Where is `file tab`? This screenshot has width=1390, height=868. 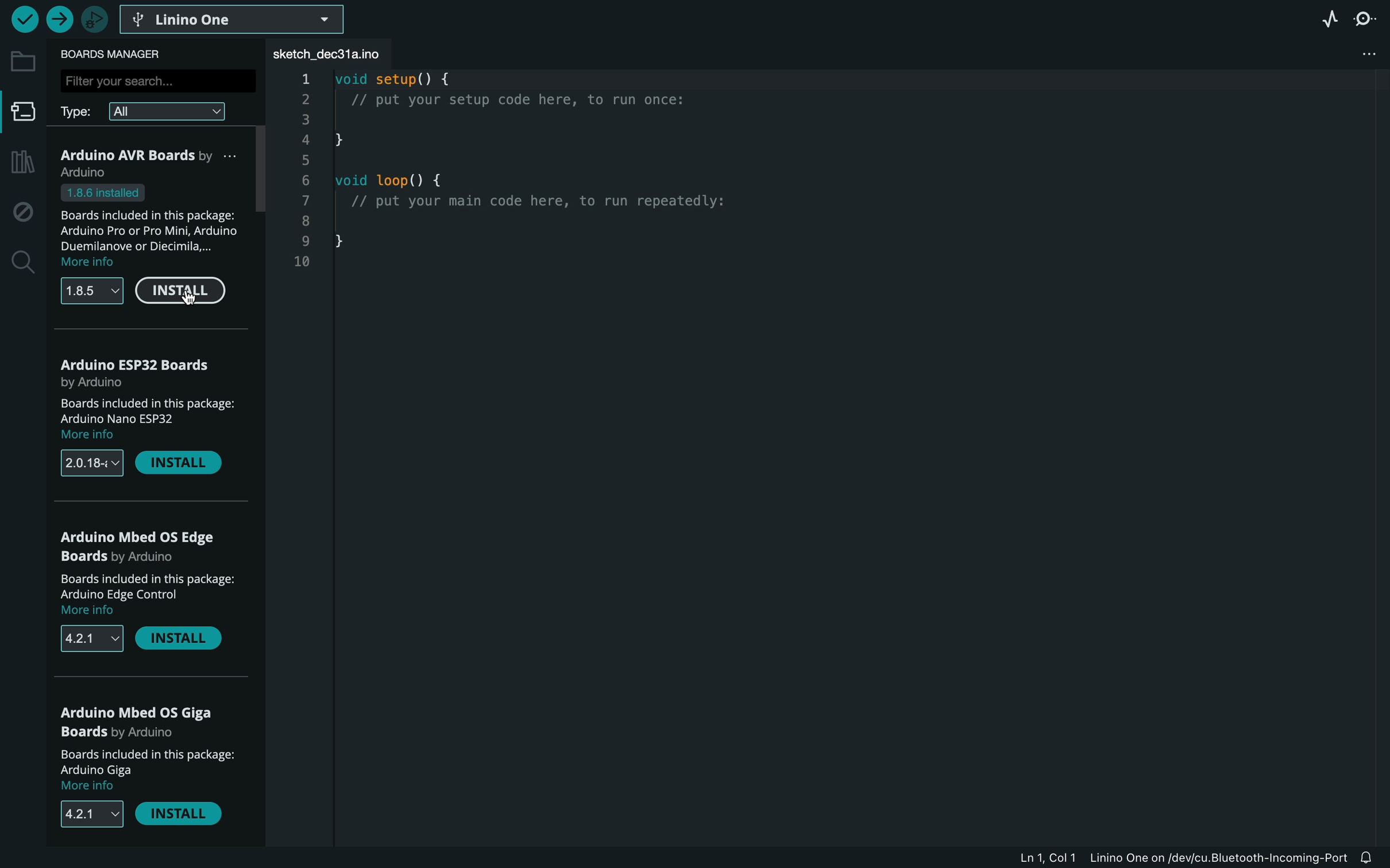 file tab is located at coordinates (337, 54).